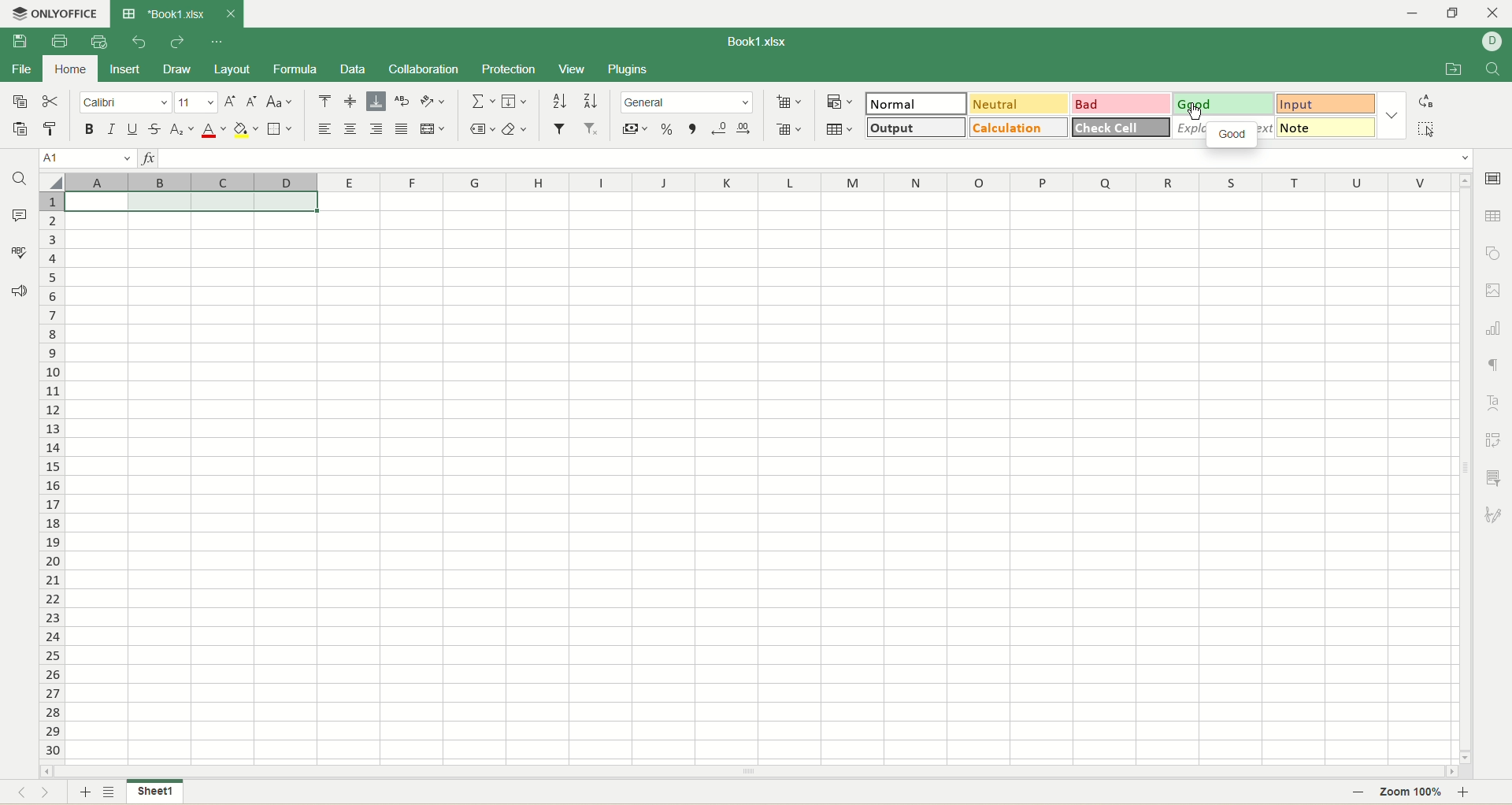  I want to click on fill, so click(514, 100).